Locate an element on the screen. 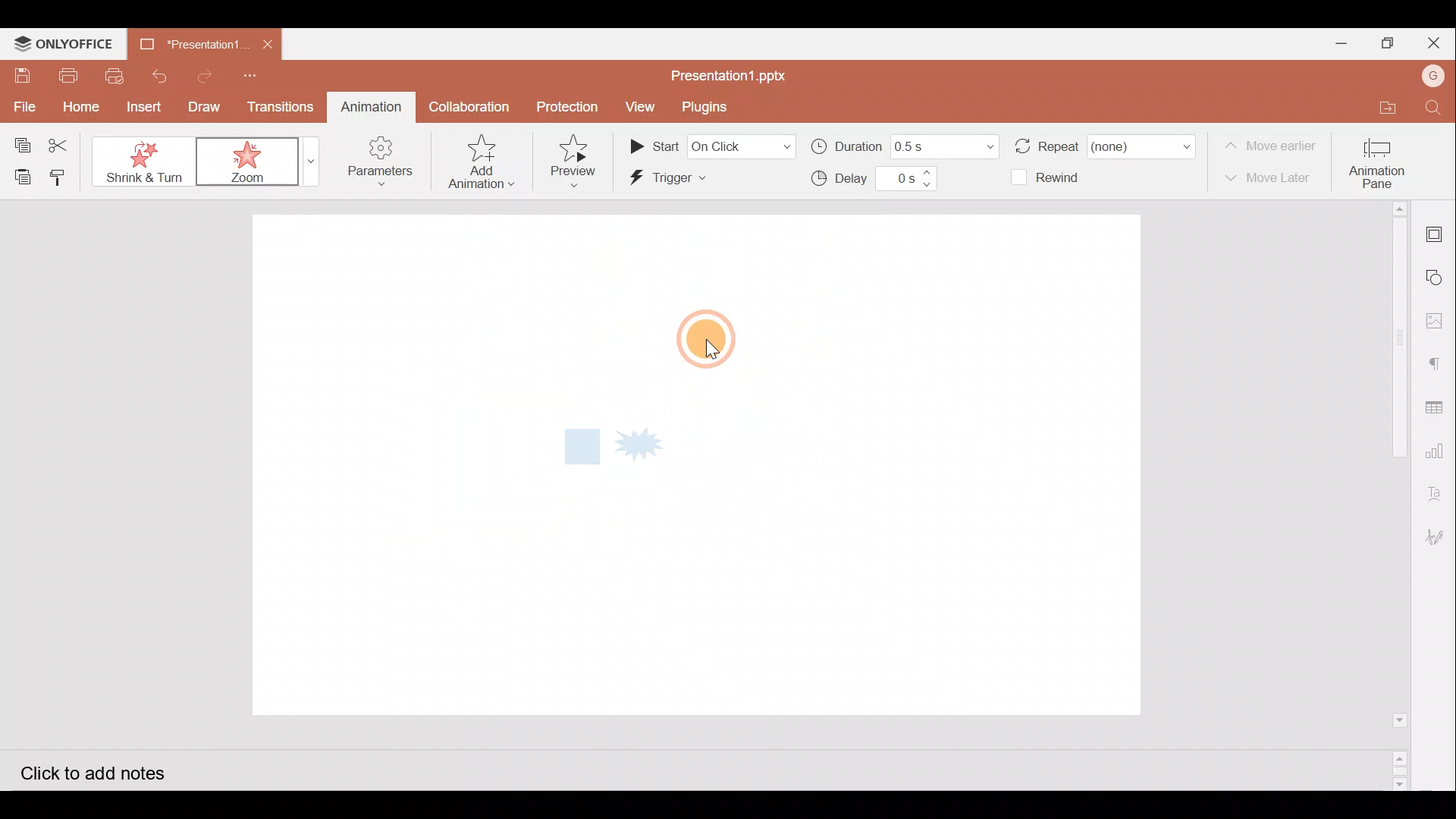  None is located at coordinates (144, 162).